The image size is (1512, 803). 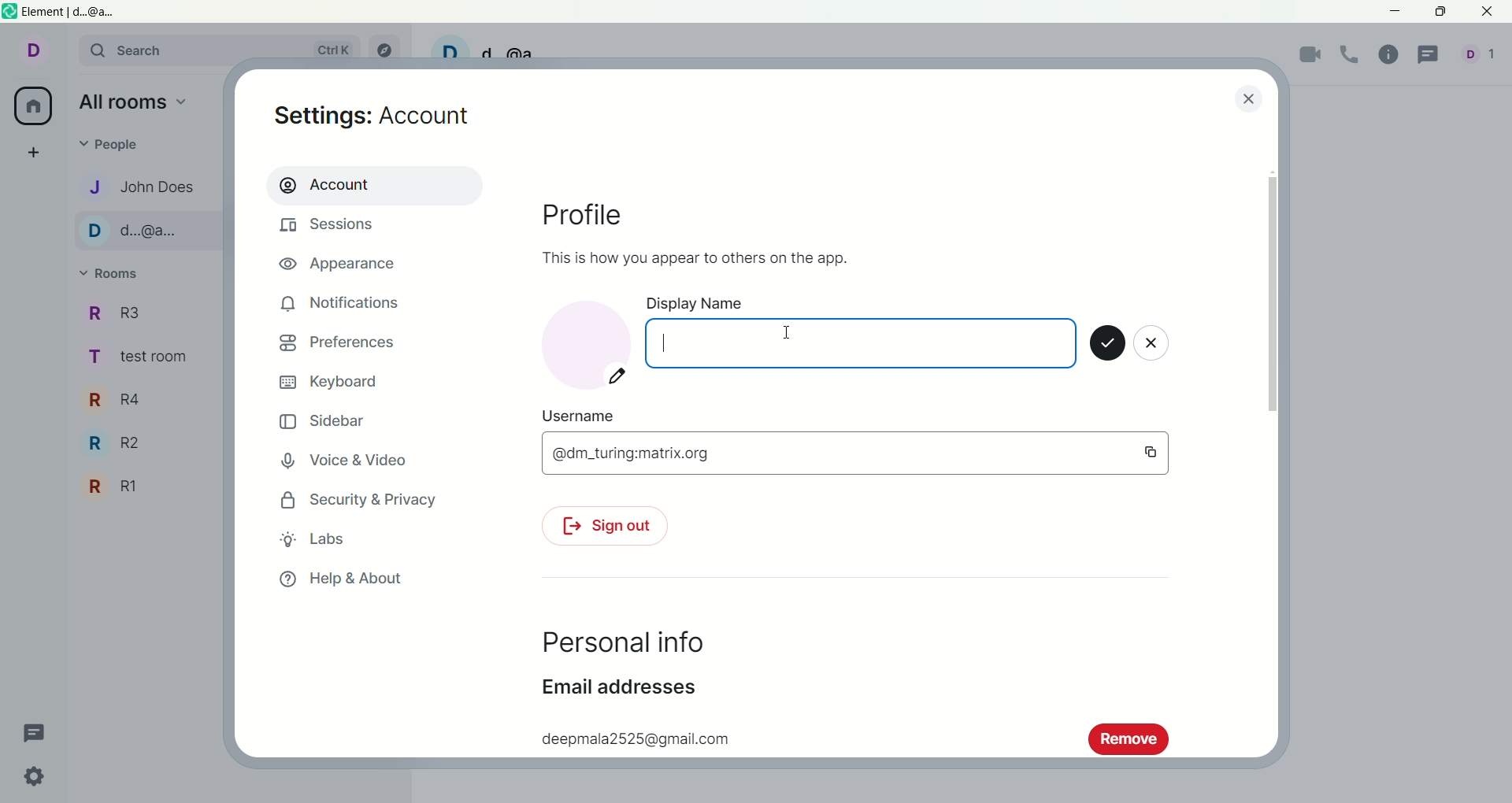 What do you see at coordinates (35, 730) in the screenshot?
I see `threads` at bounding box center [35, 730].